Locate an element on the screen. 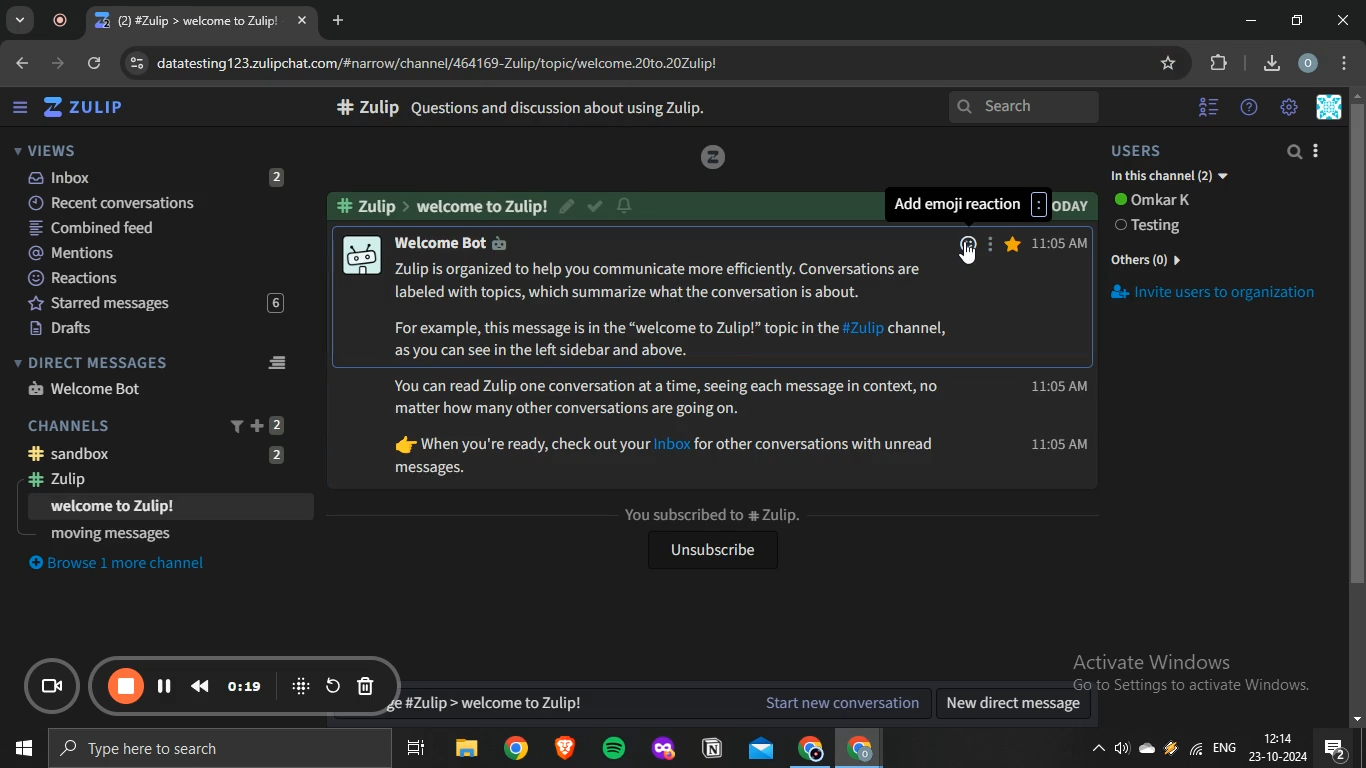  main menu is located at coordinates (1290, 108).